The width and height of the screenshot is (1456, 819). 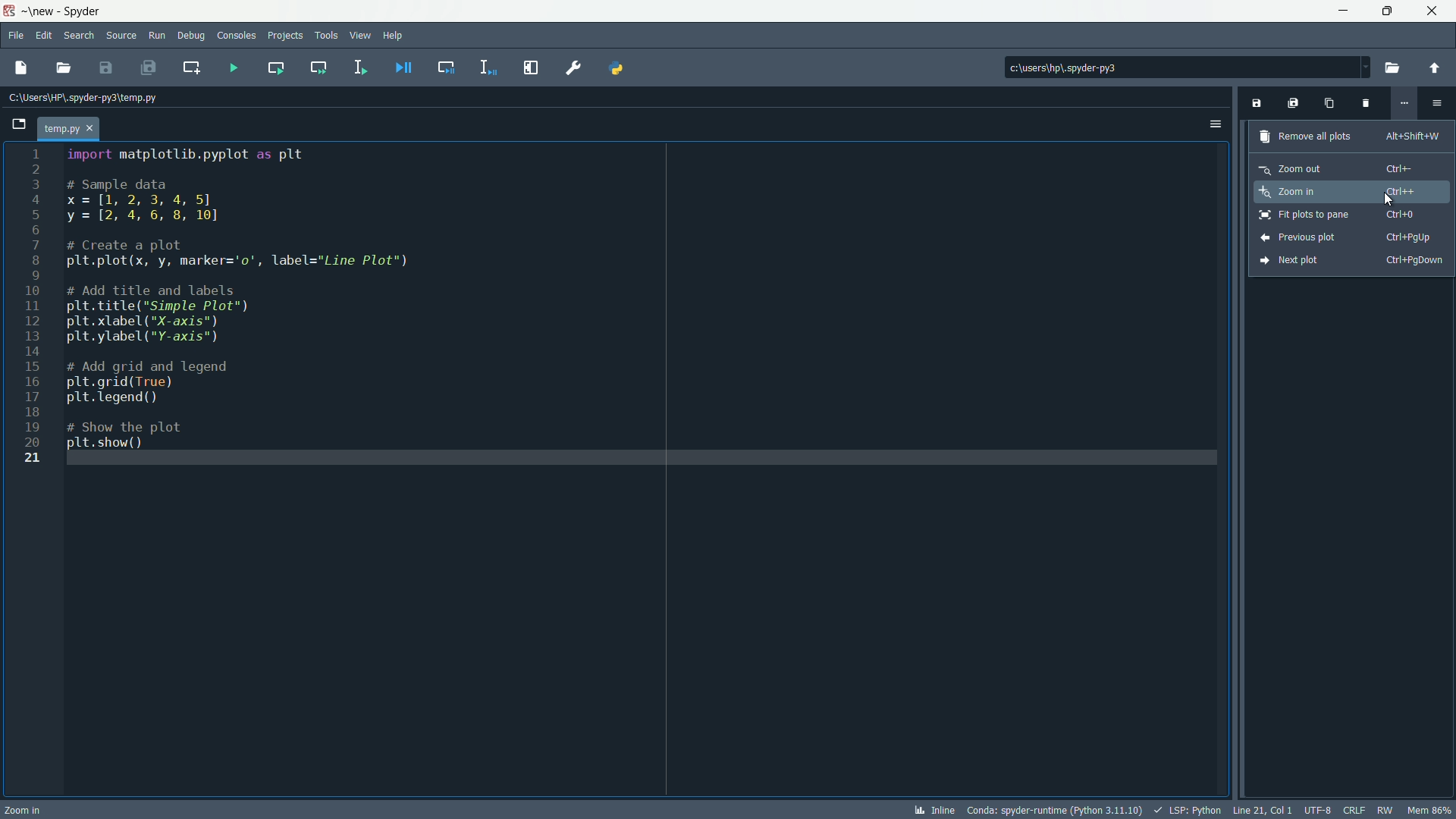 What do you see at coordinates (316, 68) in the screenshot?
I see `run current cell and go to the next one` at bounding box center [316, 68].